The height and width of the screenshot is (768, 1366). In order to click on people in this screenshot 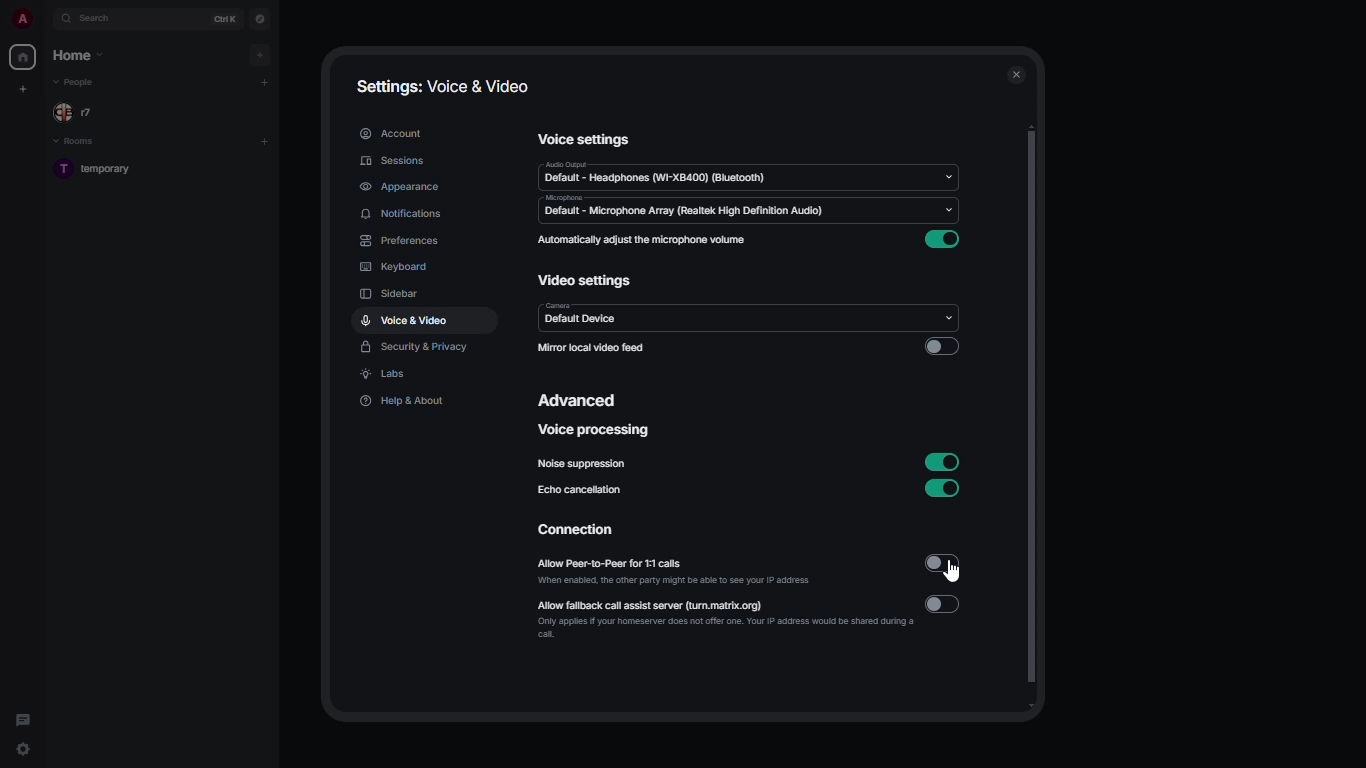, I will do `click(78, 112)`.